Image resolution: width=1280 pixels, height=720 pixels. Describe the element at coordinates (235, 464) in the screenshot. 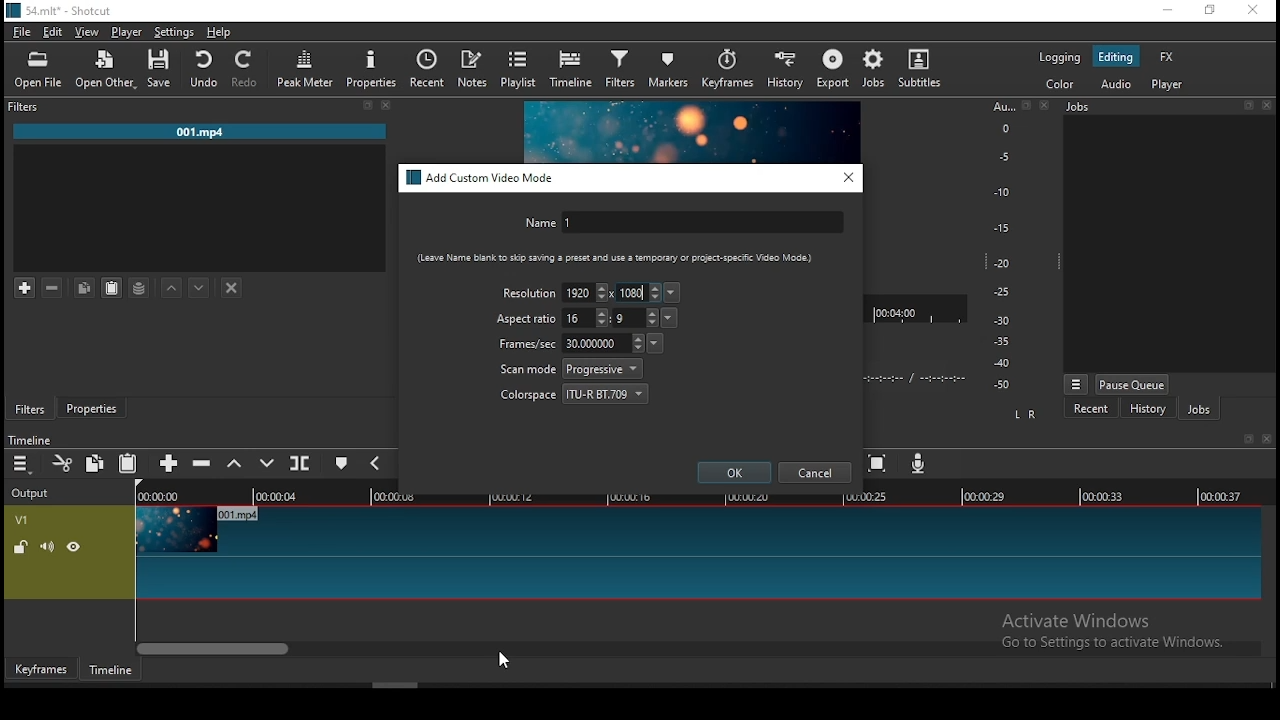

I see `lift` at that location.